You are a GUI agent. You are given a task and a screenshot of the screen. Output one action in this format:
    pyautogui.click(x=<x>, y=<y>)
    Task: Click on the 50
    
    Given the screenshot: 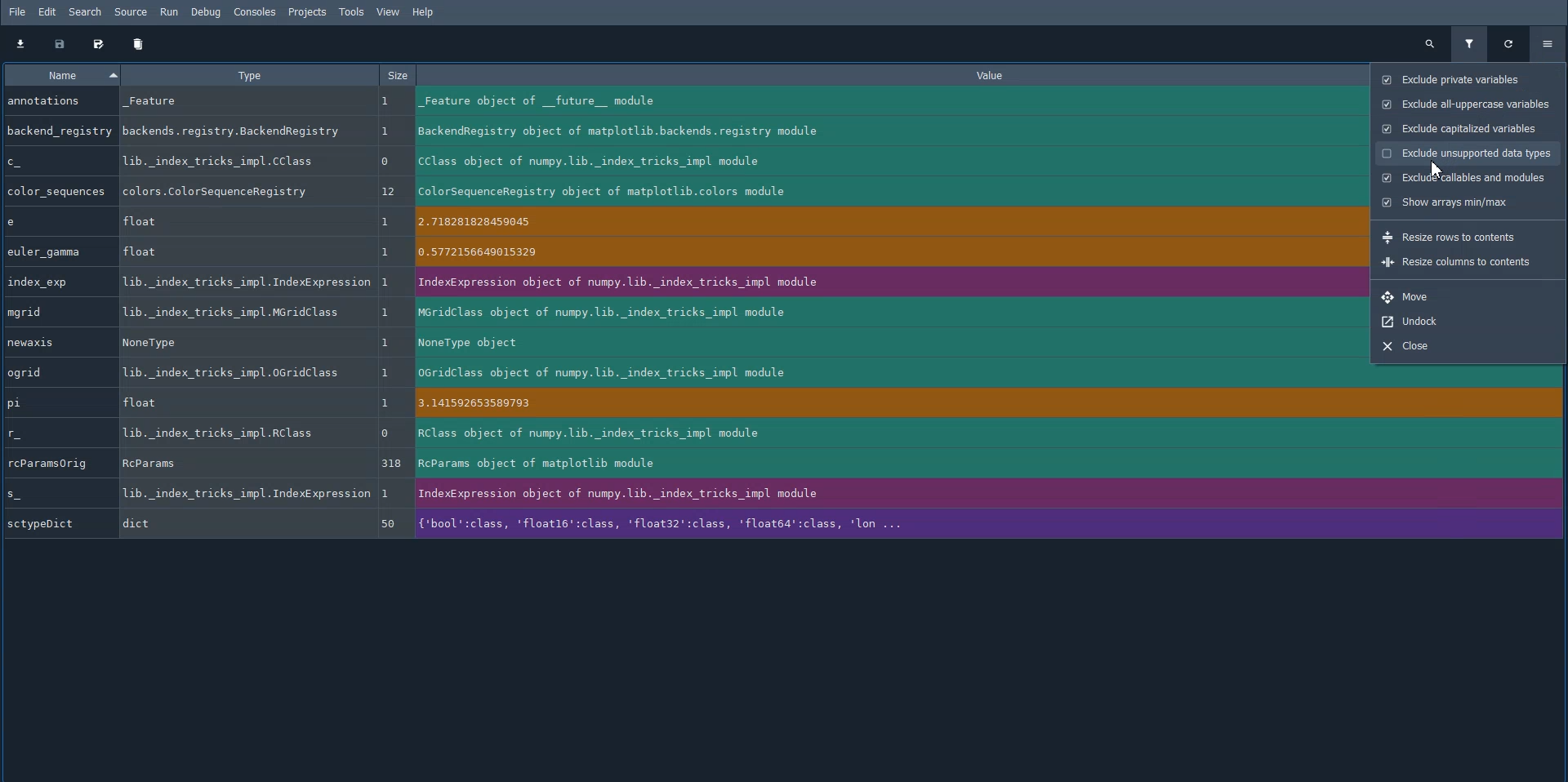 What is the action you would take?
    pyautogui.click(x=389, y=524)
    